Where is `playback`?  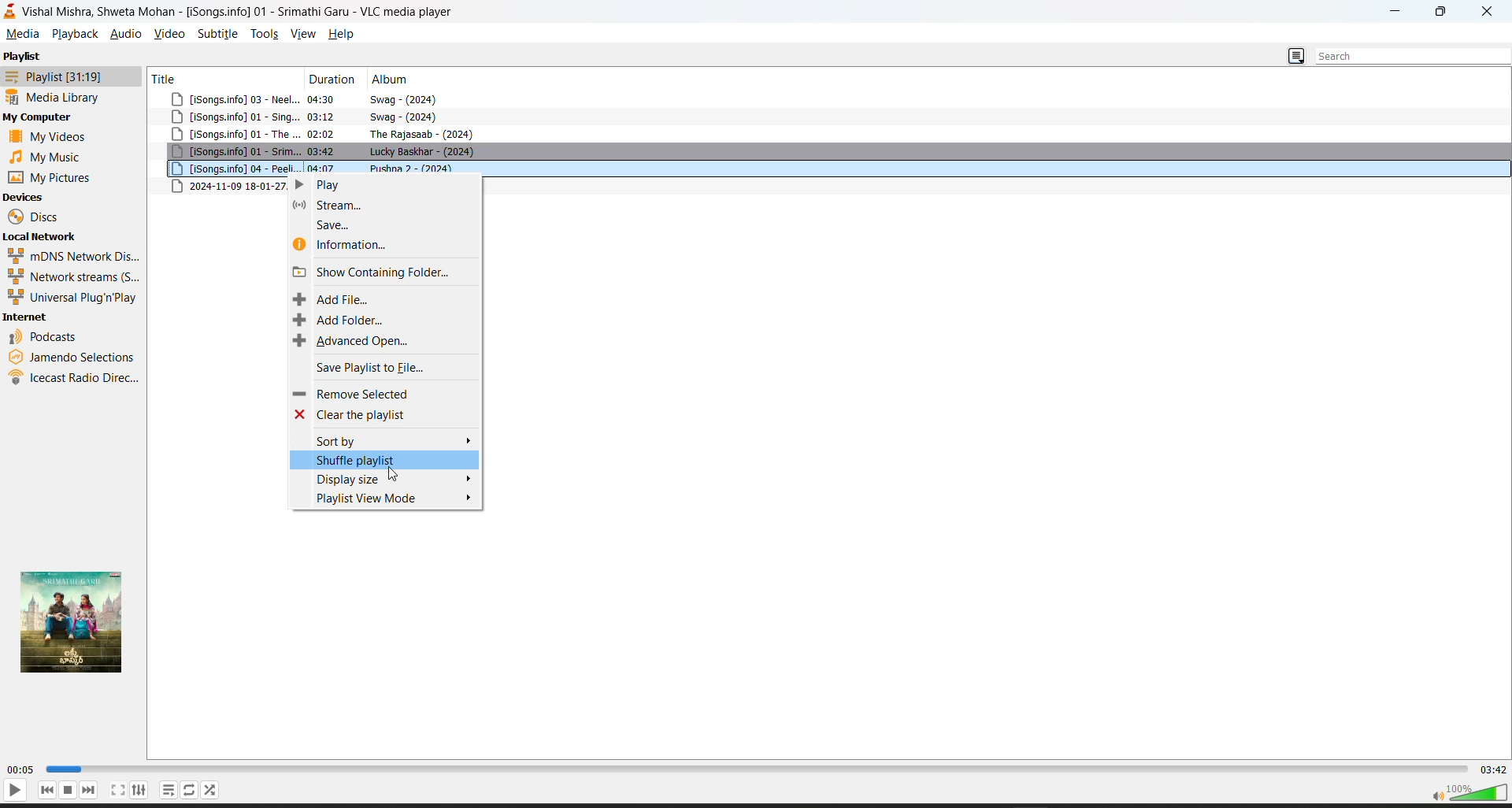
playback is located at coordinates (74, 34).